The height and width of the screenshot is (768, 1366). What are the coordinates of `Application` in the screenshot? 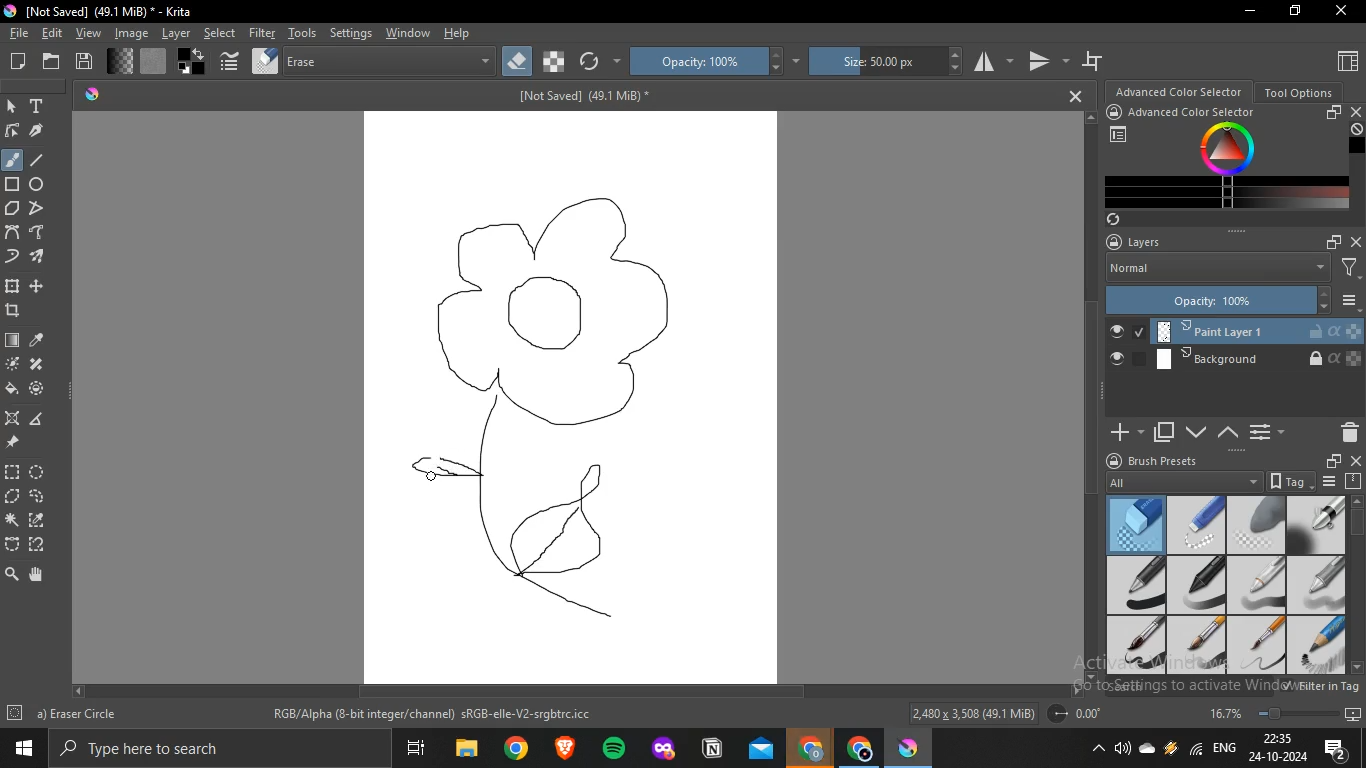 It's located at (860, 748).